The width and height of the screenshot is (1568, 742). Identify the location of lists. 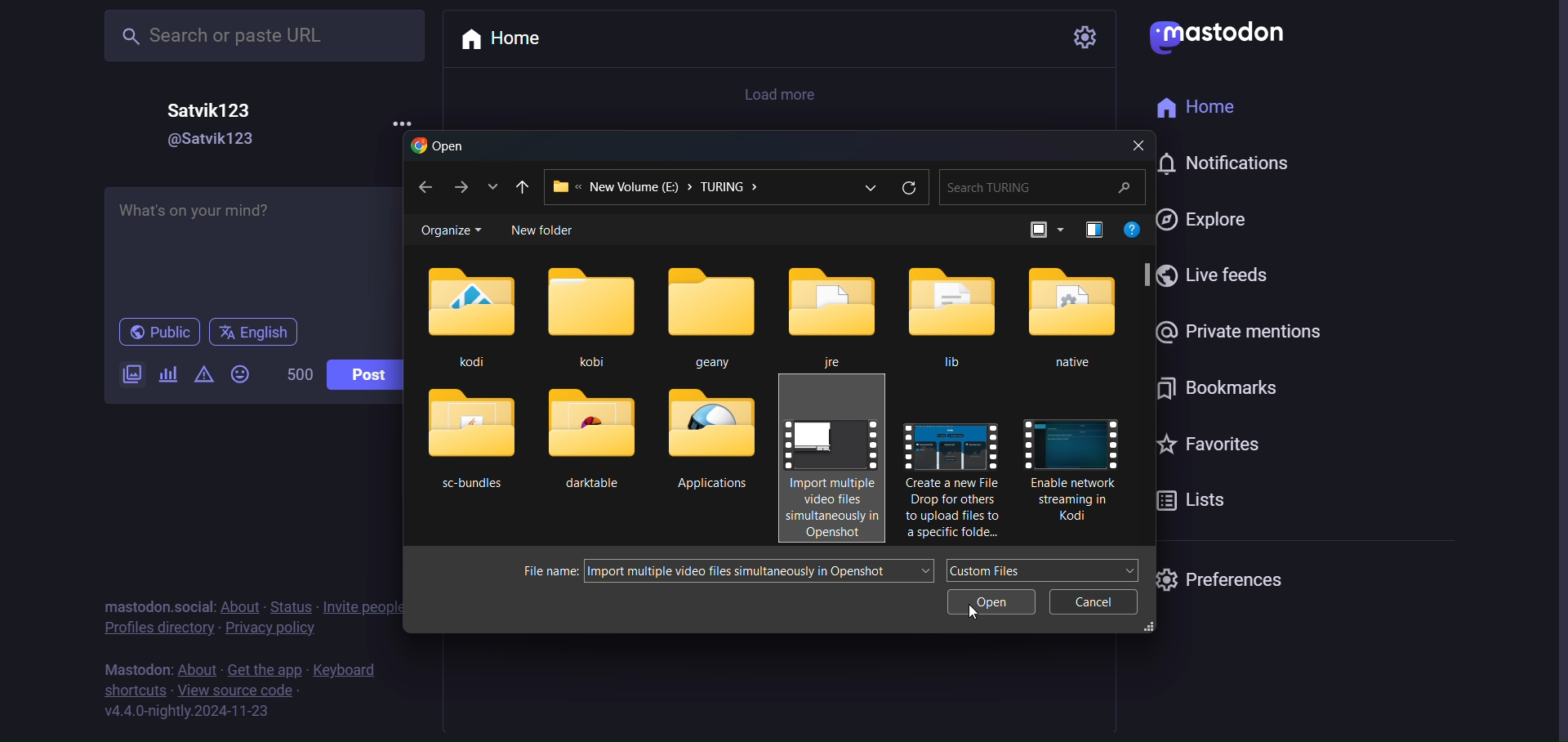
(1192, 503).